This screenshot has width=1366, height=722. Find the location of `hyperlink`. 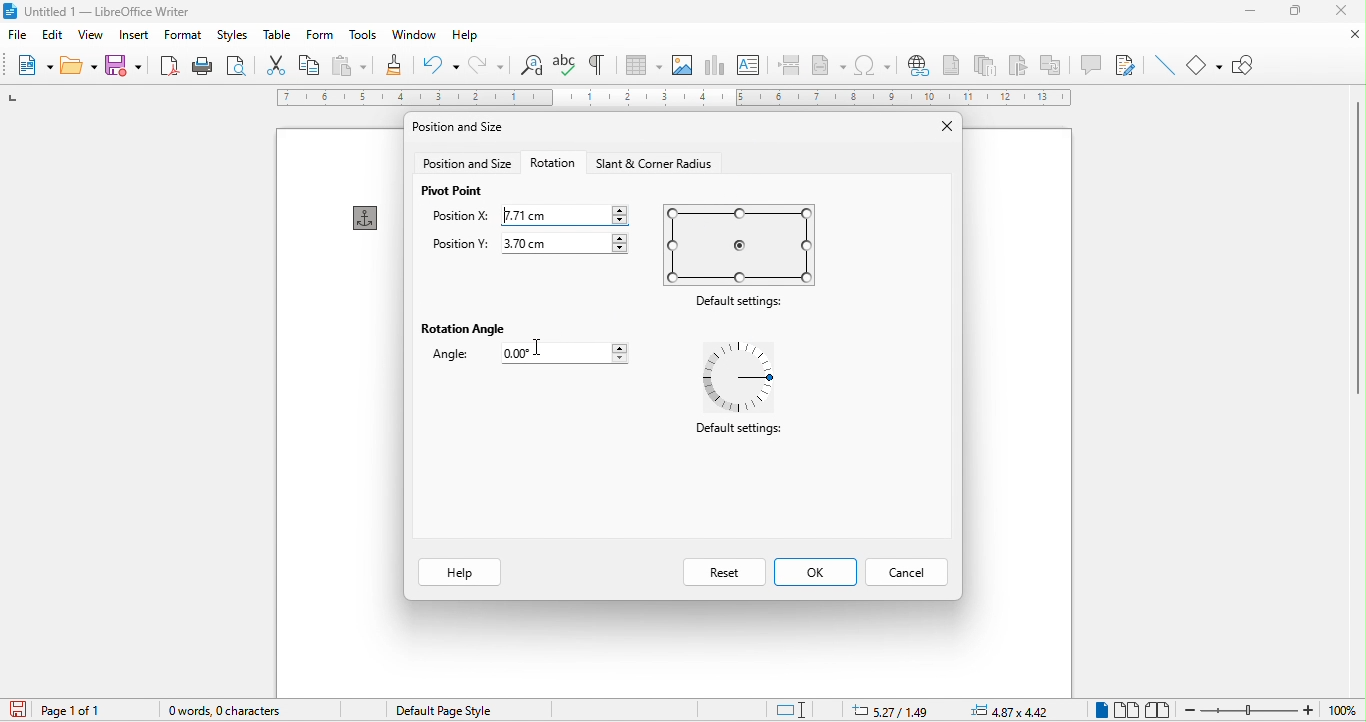

hyperlink is located at coordinates (916, 65).